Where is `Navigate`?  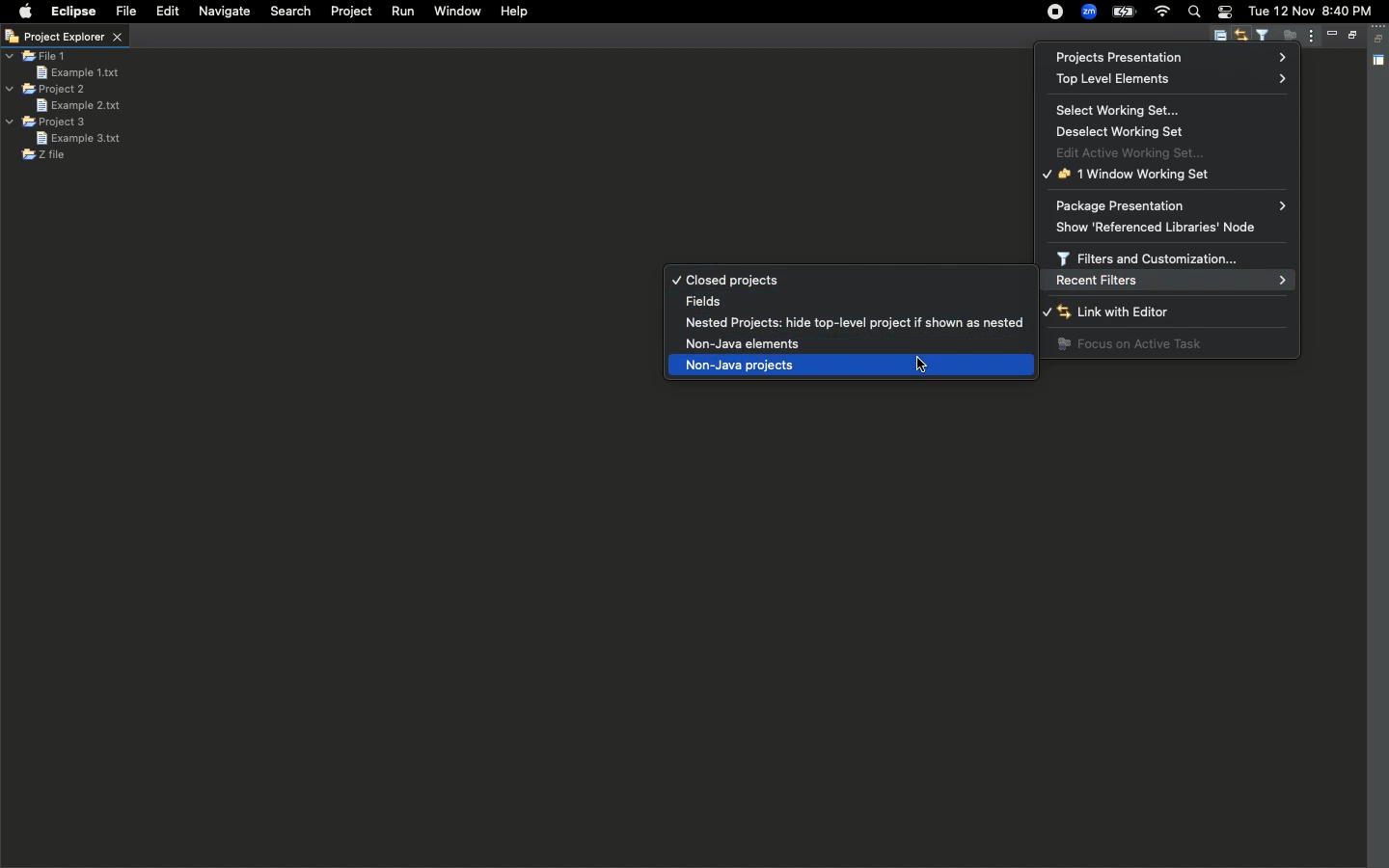 Navigate is located at coordinates (224, 12).